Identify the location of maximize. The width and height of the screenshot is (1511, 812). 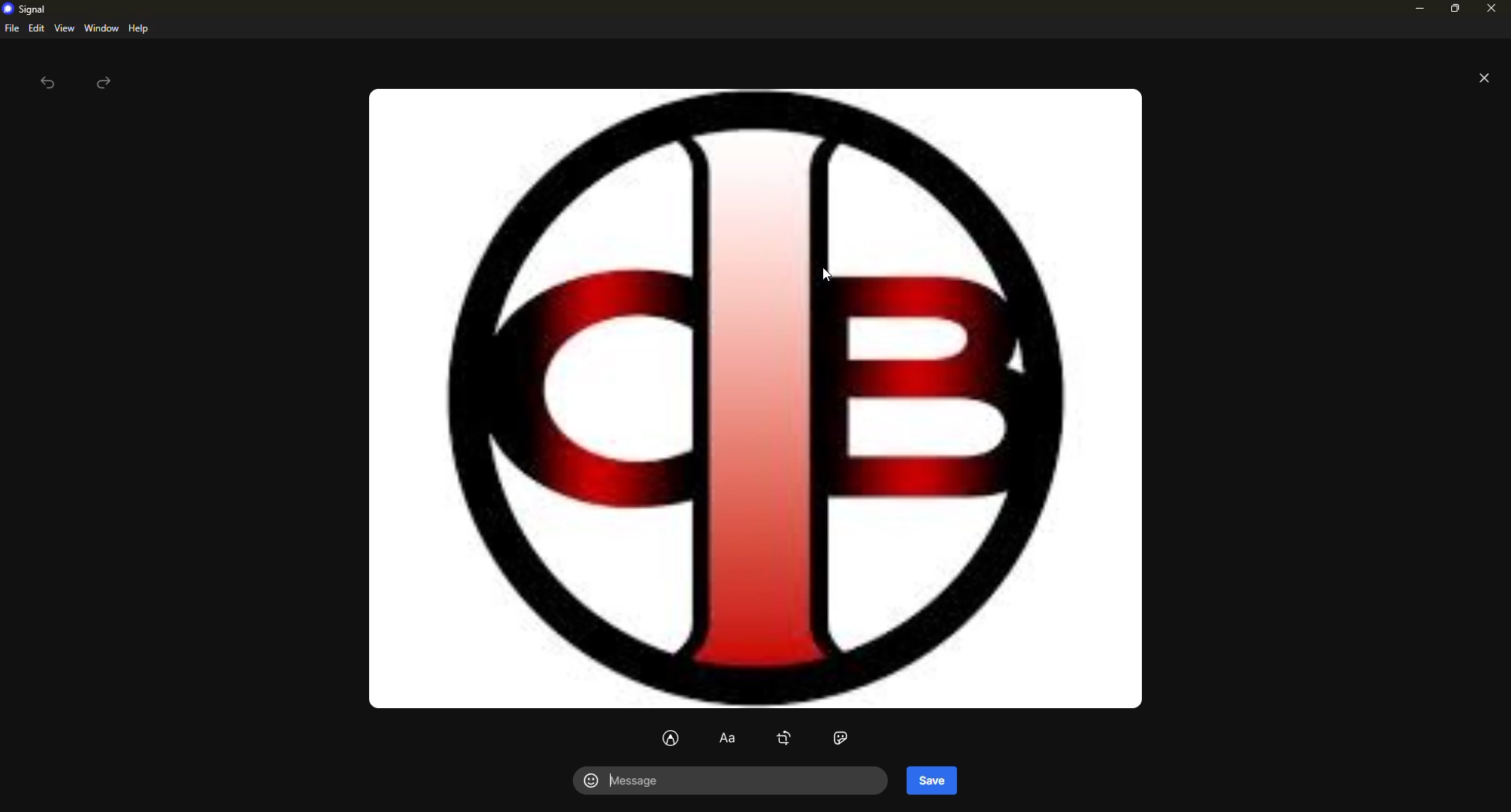
(1453, 12).